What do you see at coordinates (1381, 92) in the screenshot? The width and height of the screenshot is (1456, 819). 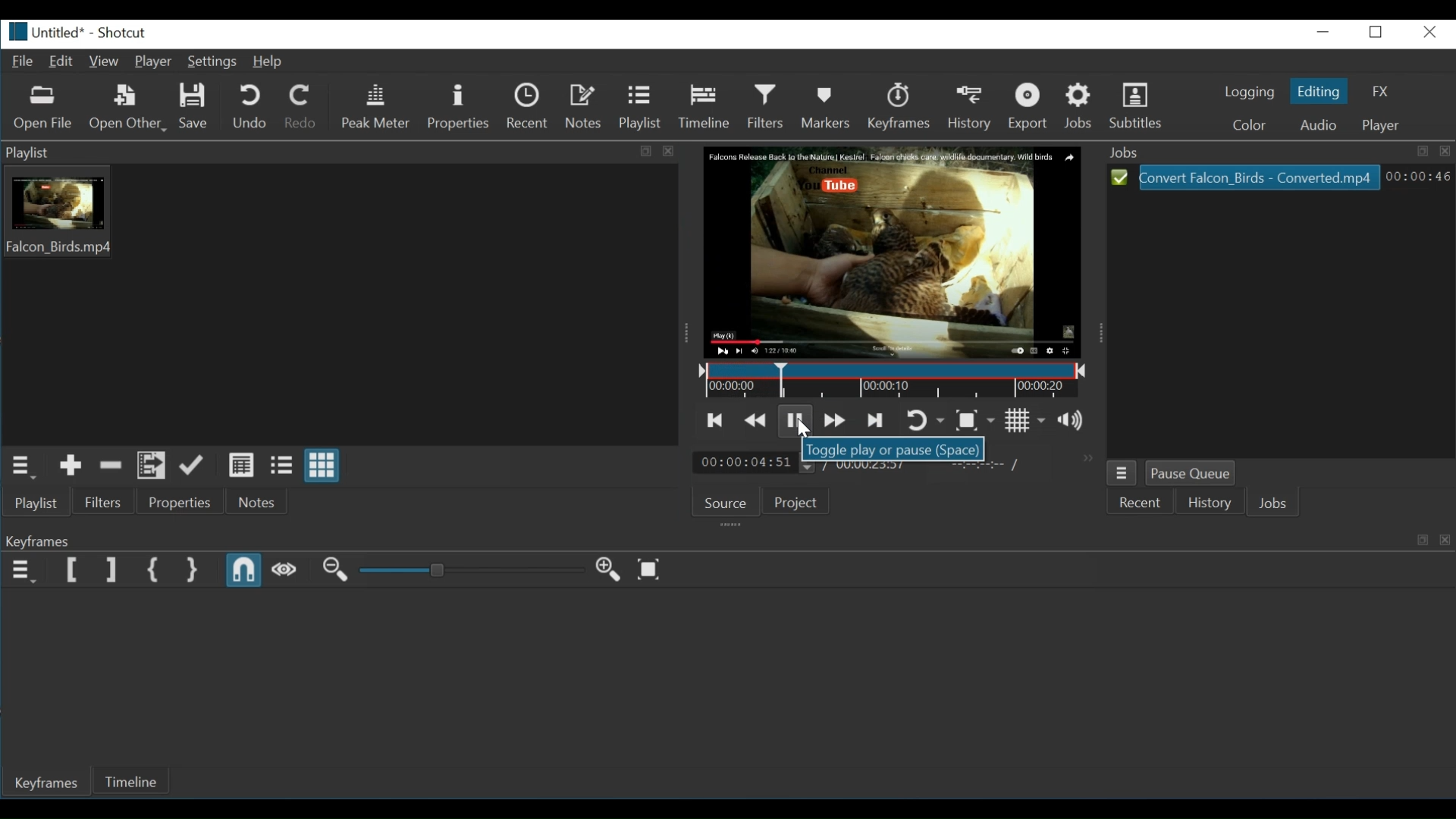 I see `FX` at bounding box center [1381, 92].